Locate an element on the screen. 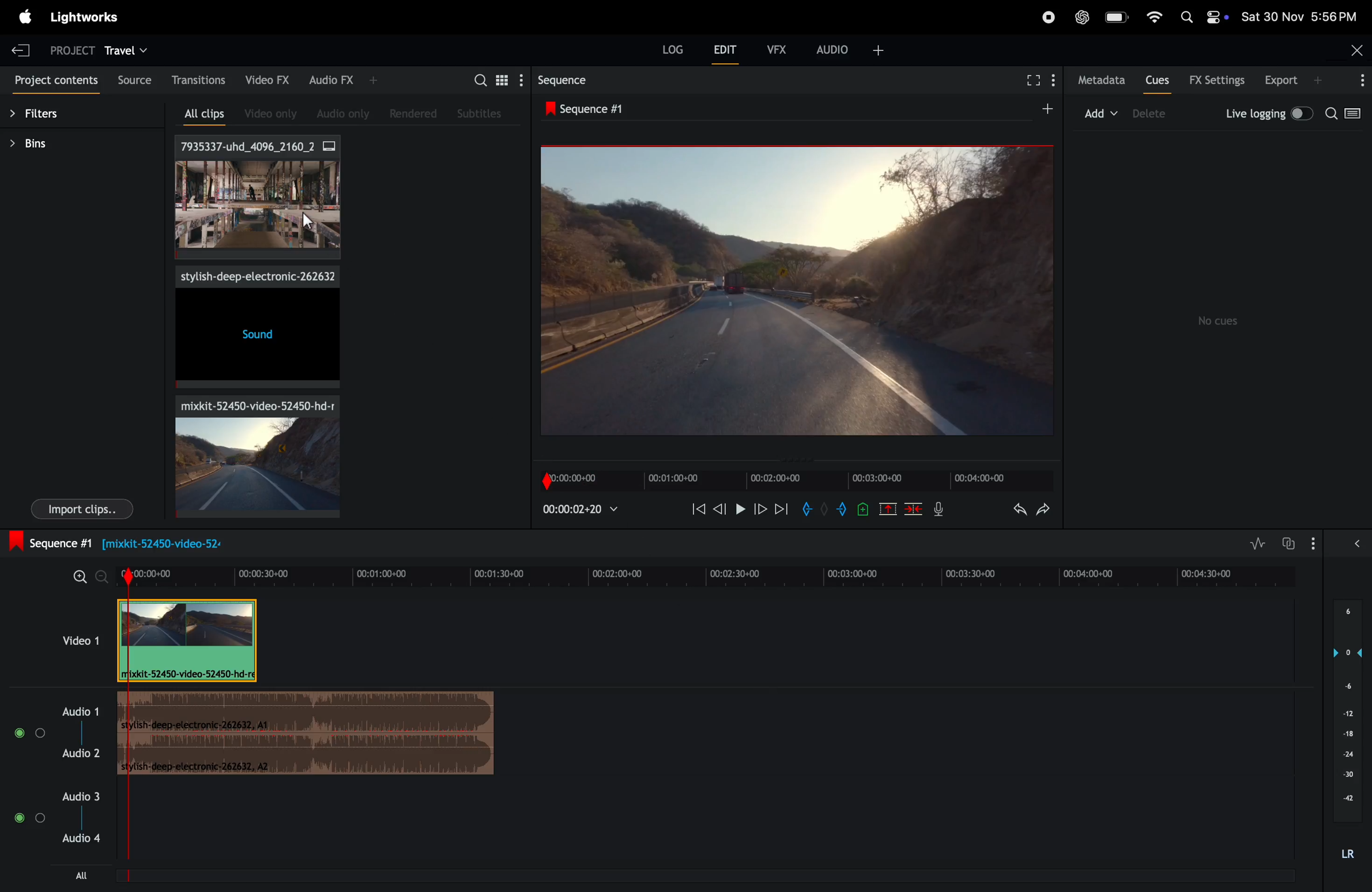  no cues is located at coordinates (1220, 321).